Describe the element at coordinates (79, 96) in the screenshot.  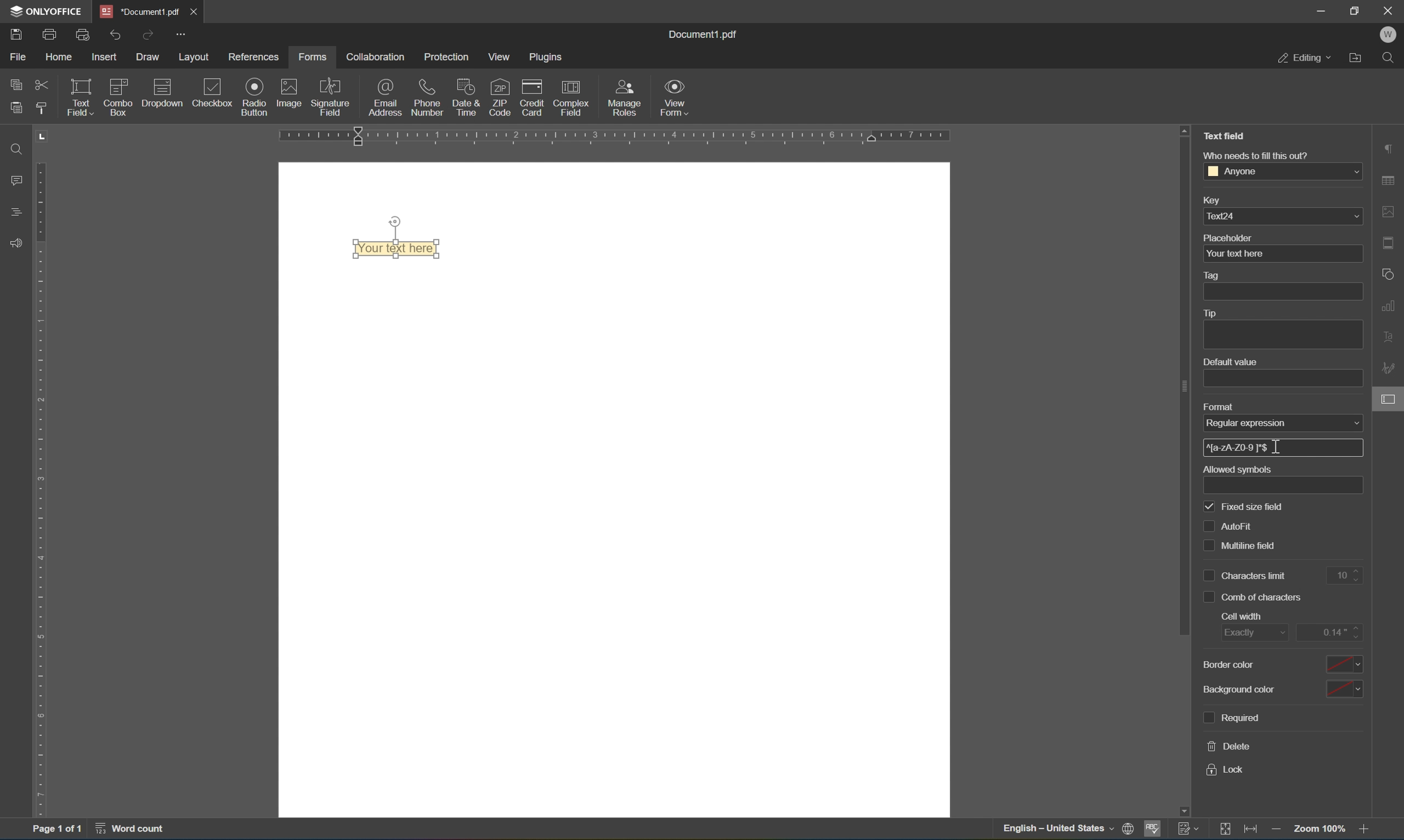
I see `text field` at that location.